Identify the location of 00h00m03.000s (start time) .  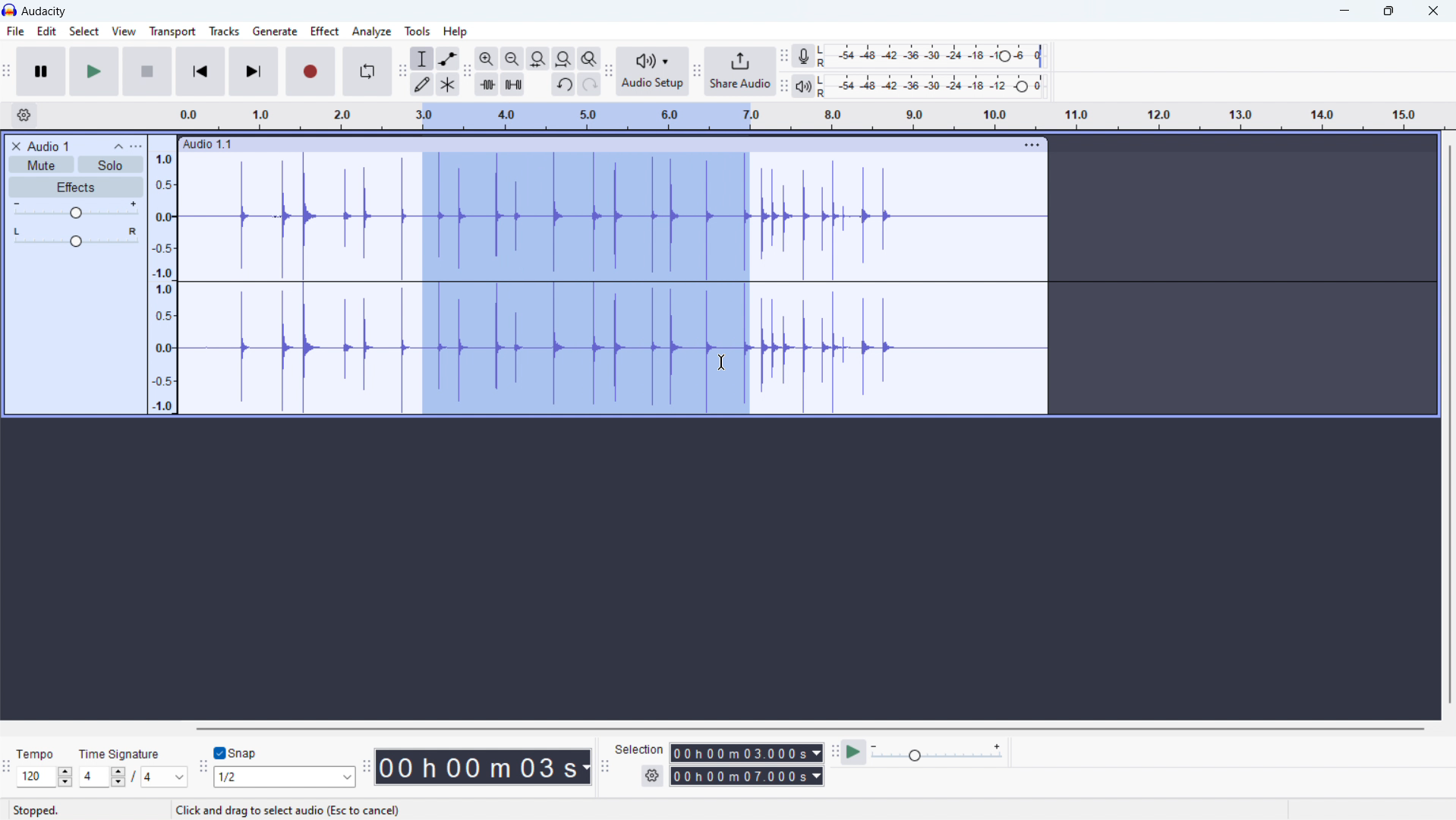
(748, 751).